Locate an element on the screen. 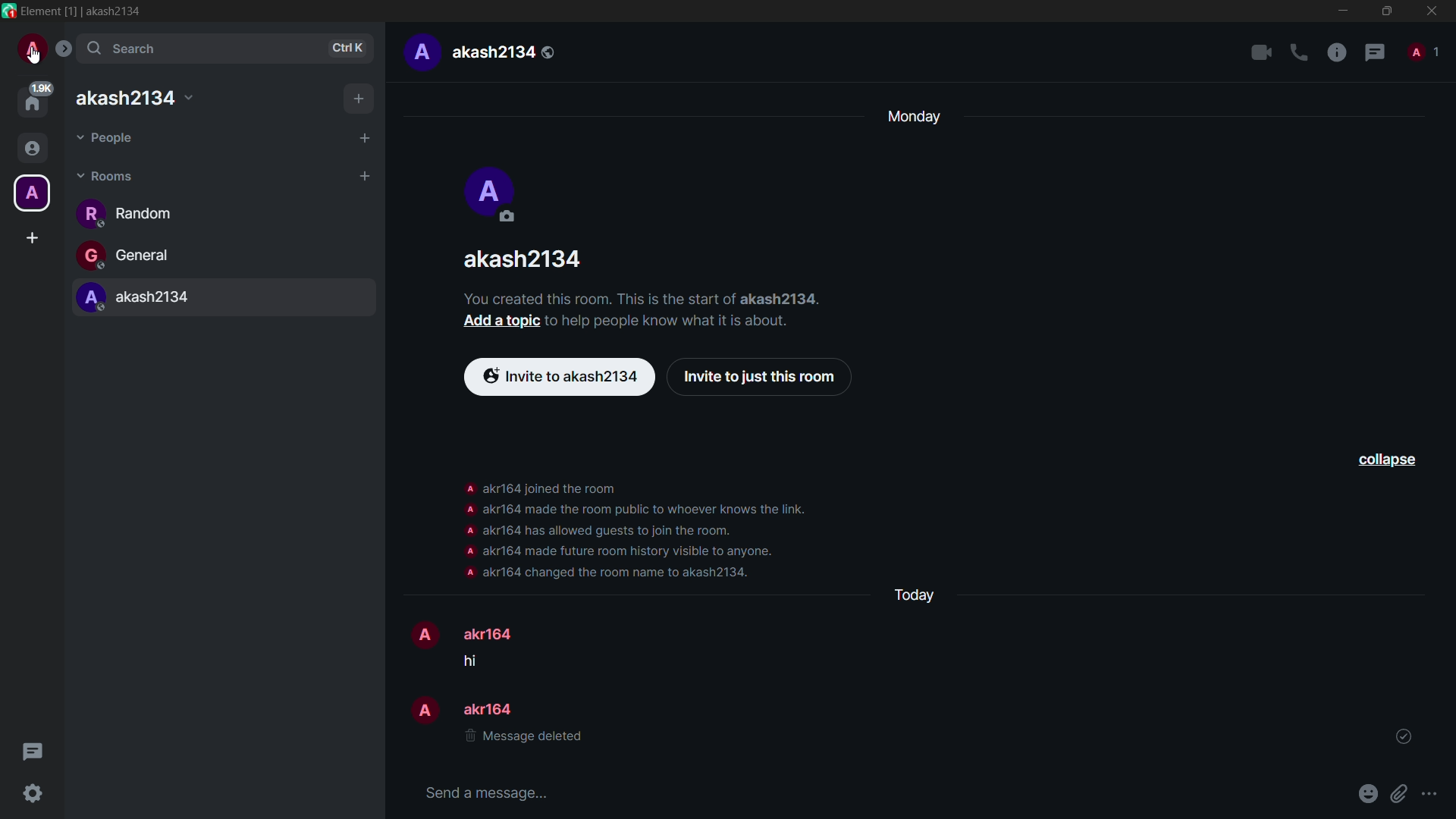 This screenshot has width=1456, height=819. tick is located at coordinates (1404, 737).